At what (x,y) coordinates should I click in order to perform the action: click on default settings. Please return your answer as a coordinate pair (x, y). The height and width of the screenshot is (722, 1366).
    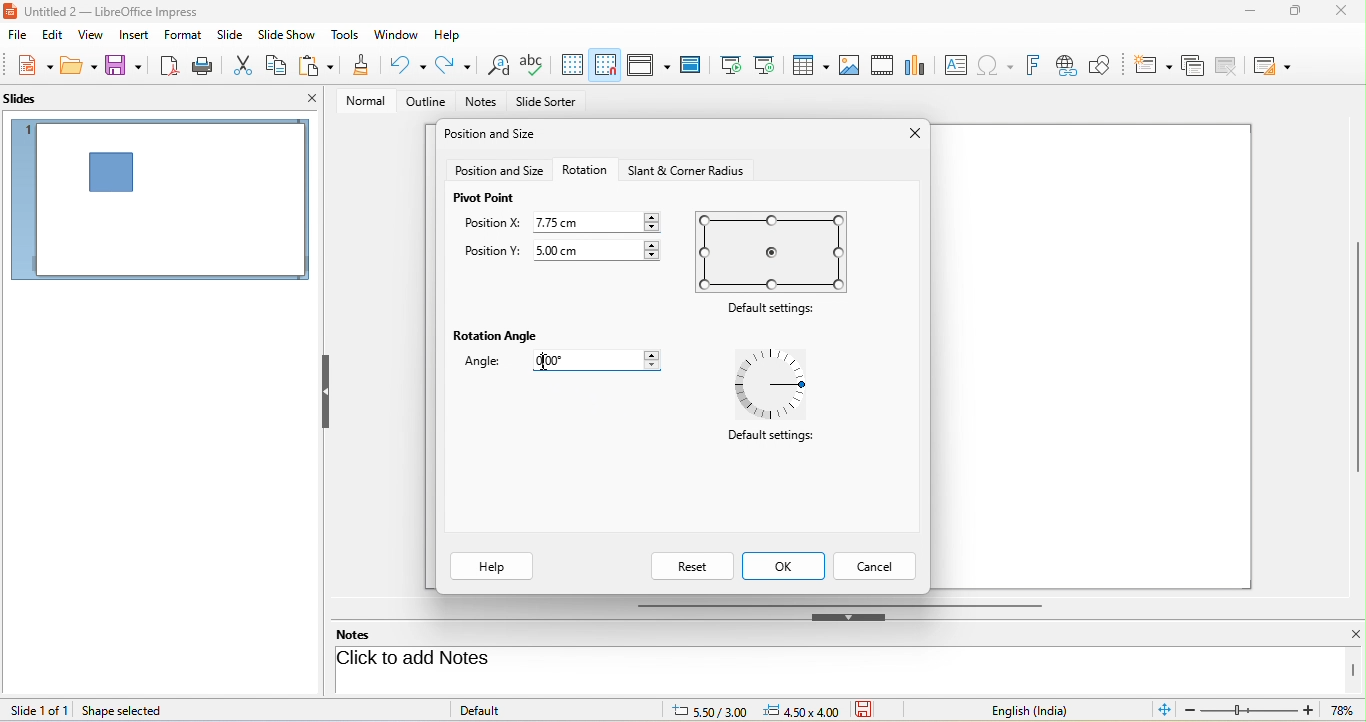
    Looking at the image, I should click on (775, 251).